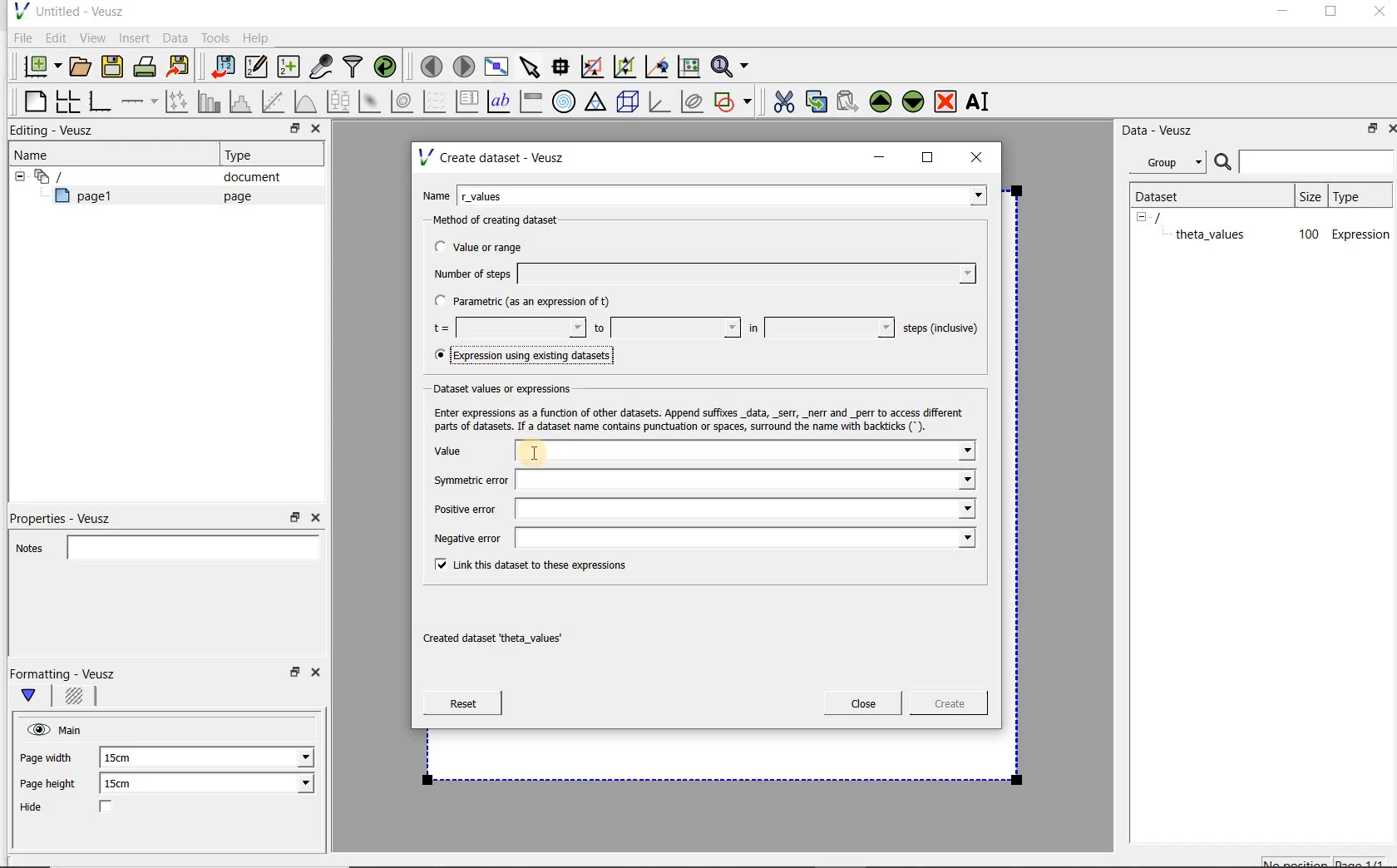 Image resolution: width=1397 pixels, height=868 pixels. Describe the element at coordinates (850, 101) in the screenshot. I see `Paste widget from the clipboard` at that location.